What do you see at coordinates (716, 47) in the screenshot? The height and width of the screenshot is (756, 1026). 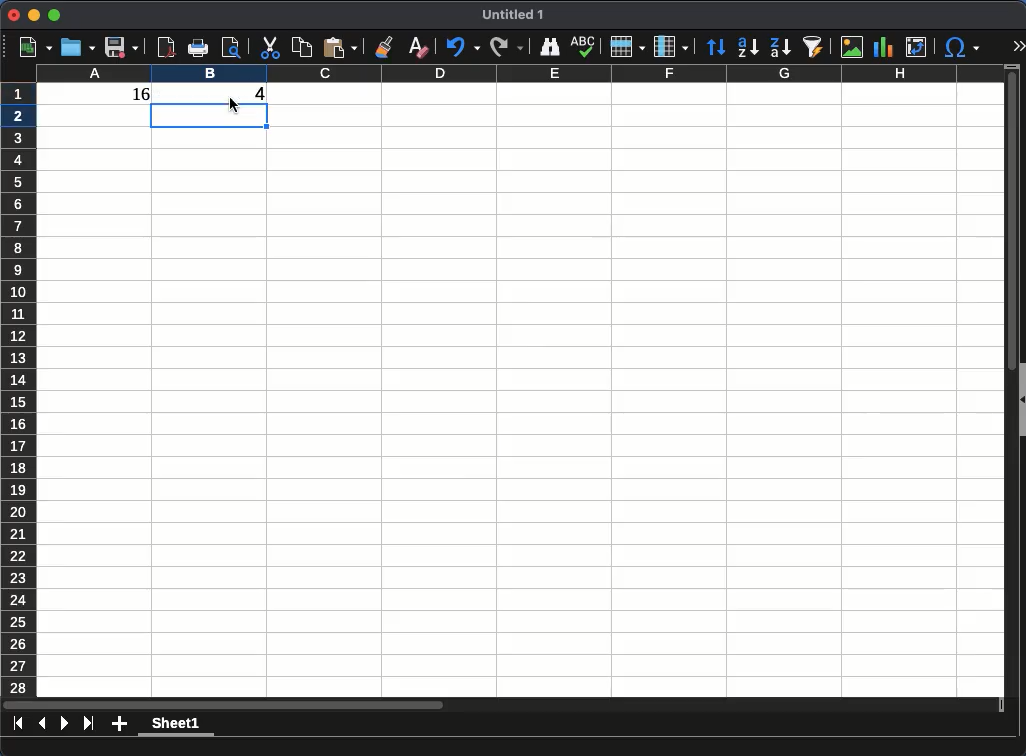 I see `sort` at bounding box center [716, 47].